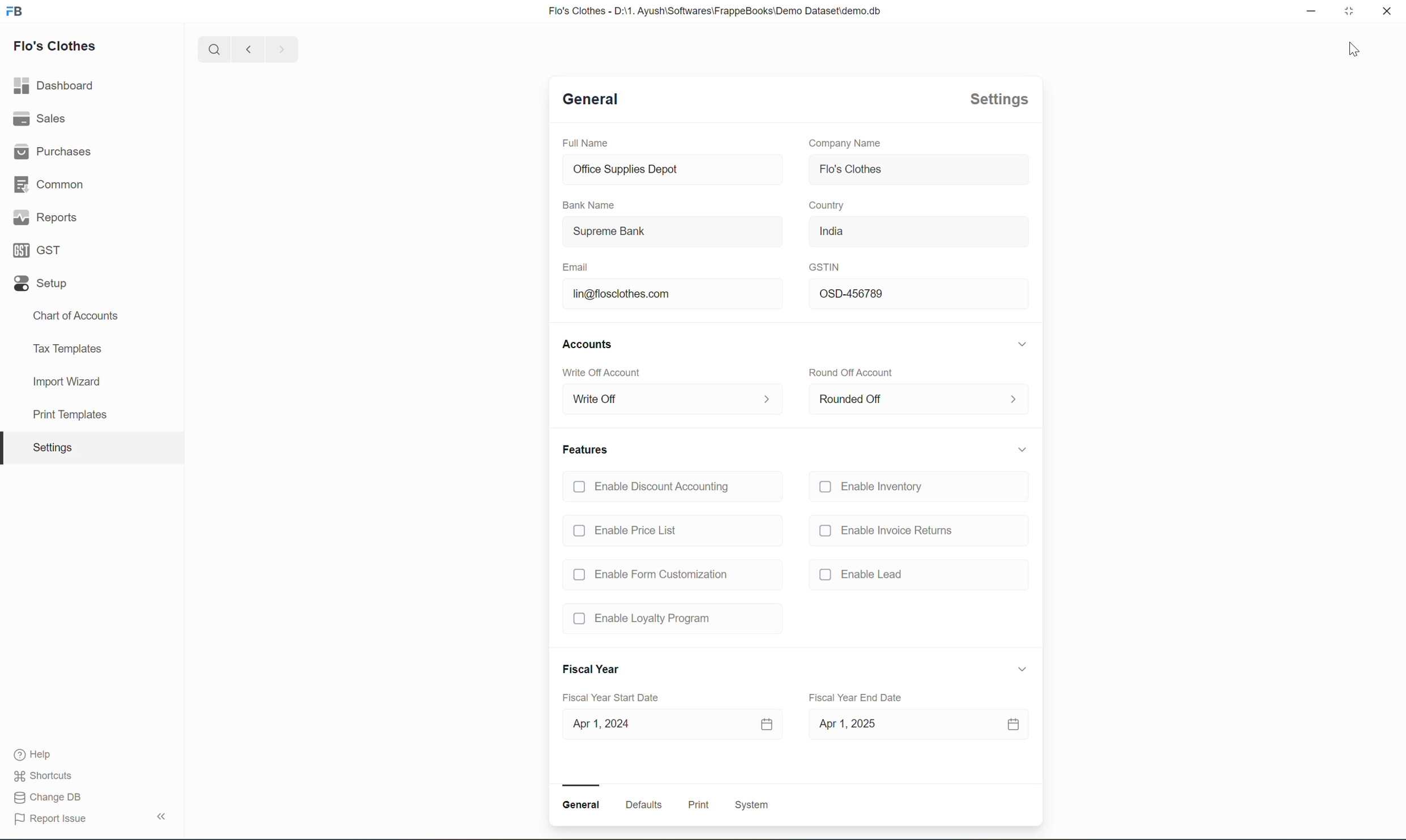  Describe the element at coordinates (1311, 11) in the screenshot. I see `minimize` at that location.